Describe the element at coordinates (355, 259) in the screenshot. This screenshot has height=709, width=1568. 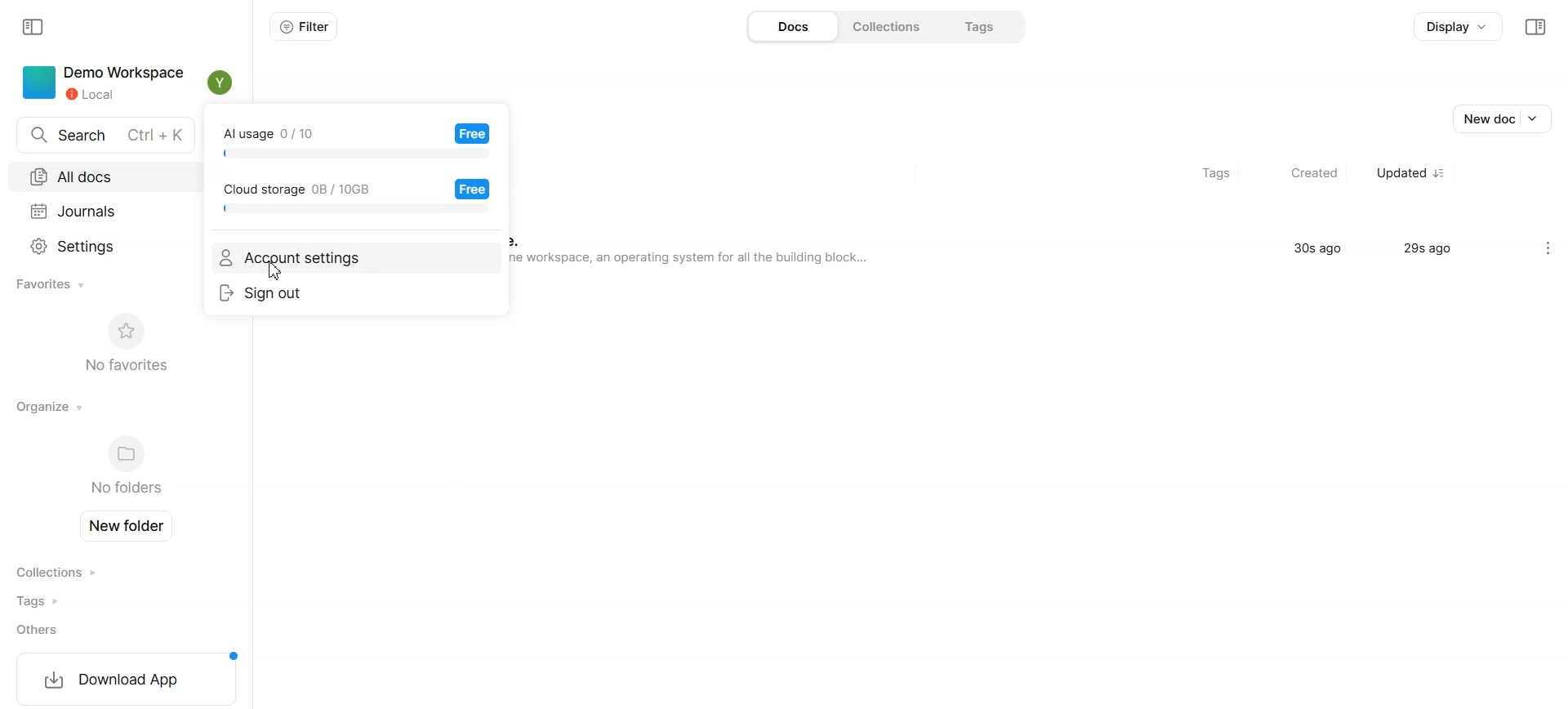
I see `Account settings` at that location.